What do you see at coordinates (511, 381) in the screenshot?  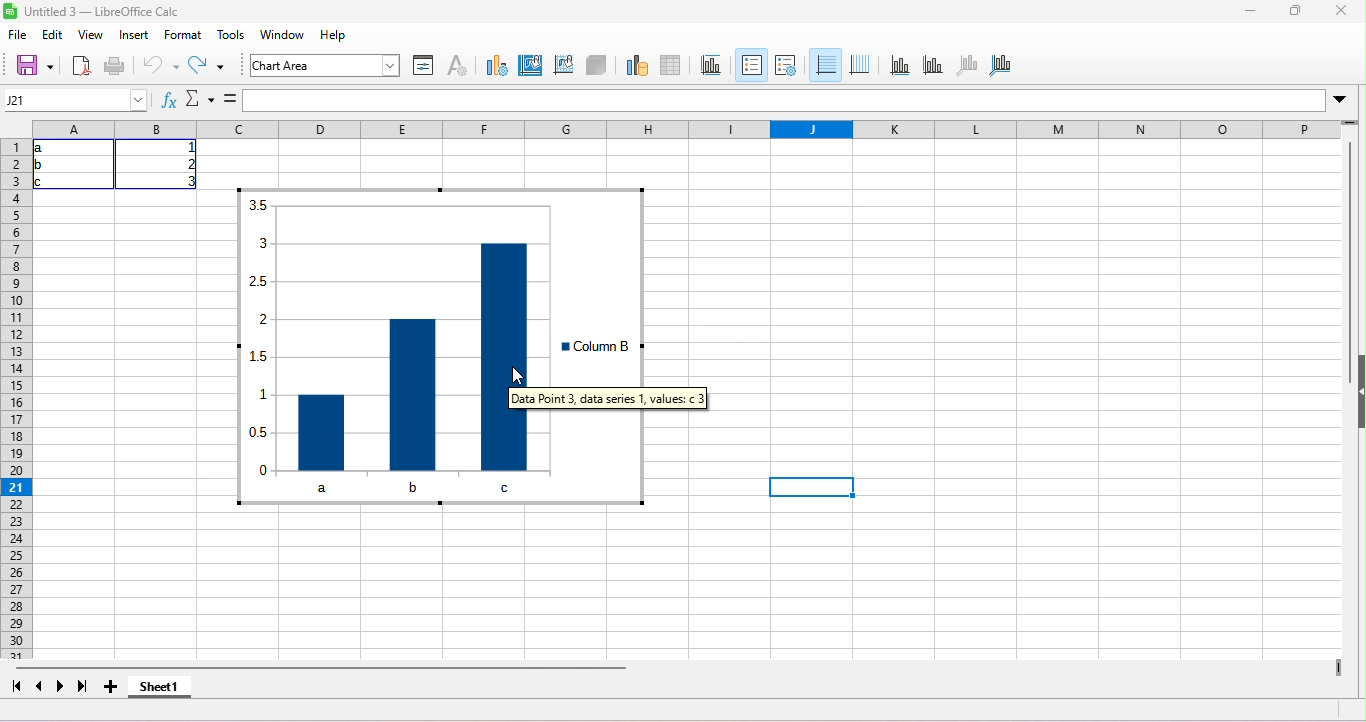 I see `cursor movement` at bounding box center [511, 381].